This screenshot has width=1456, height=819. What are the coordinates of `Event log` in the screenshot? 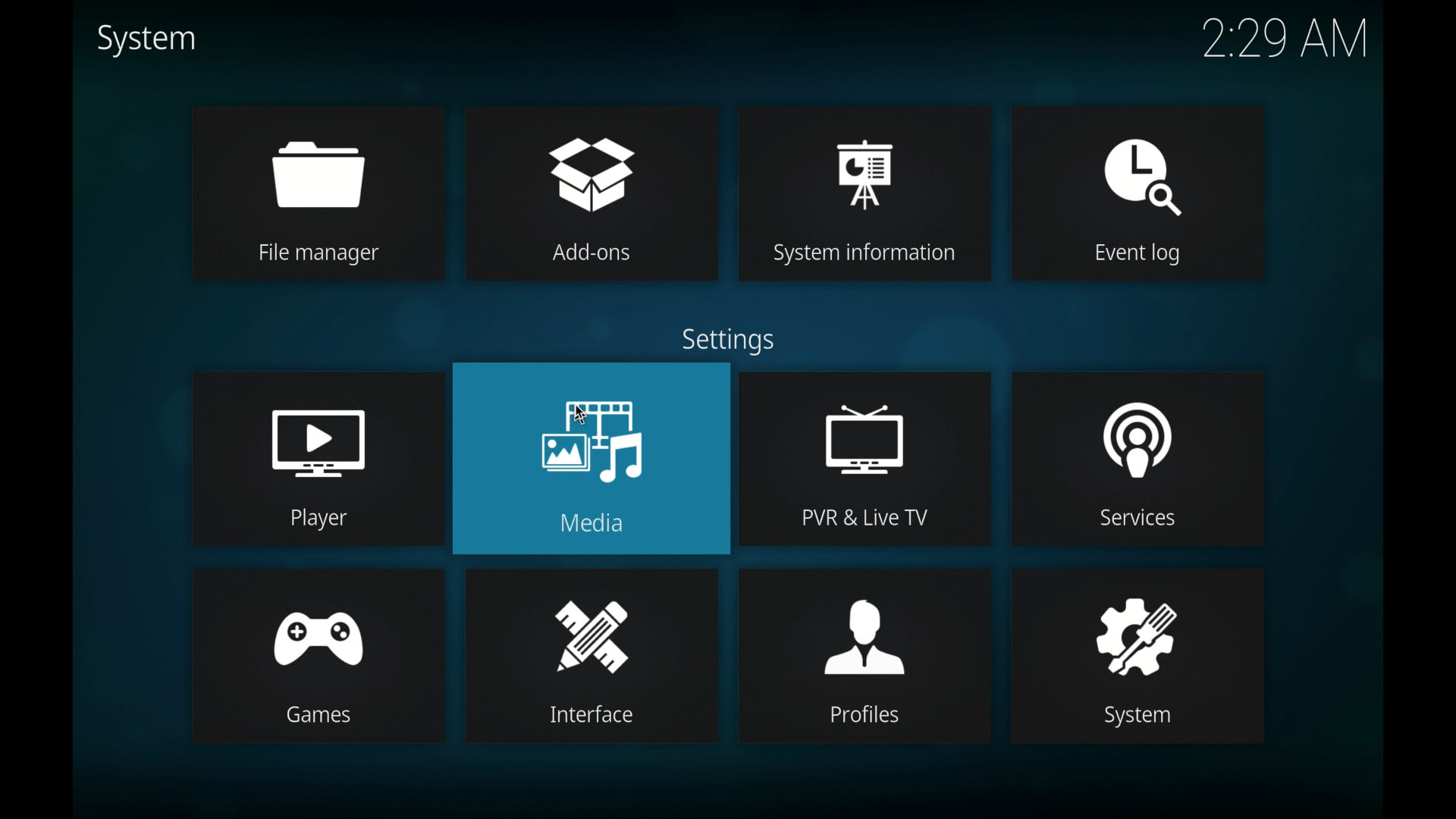 It's located at (1145, 255).